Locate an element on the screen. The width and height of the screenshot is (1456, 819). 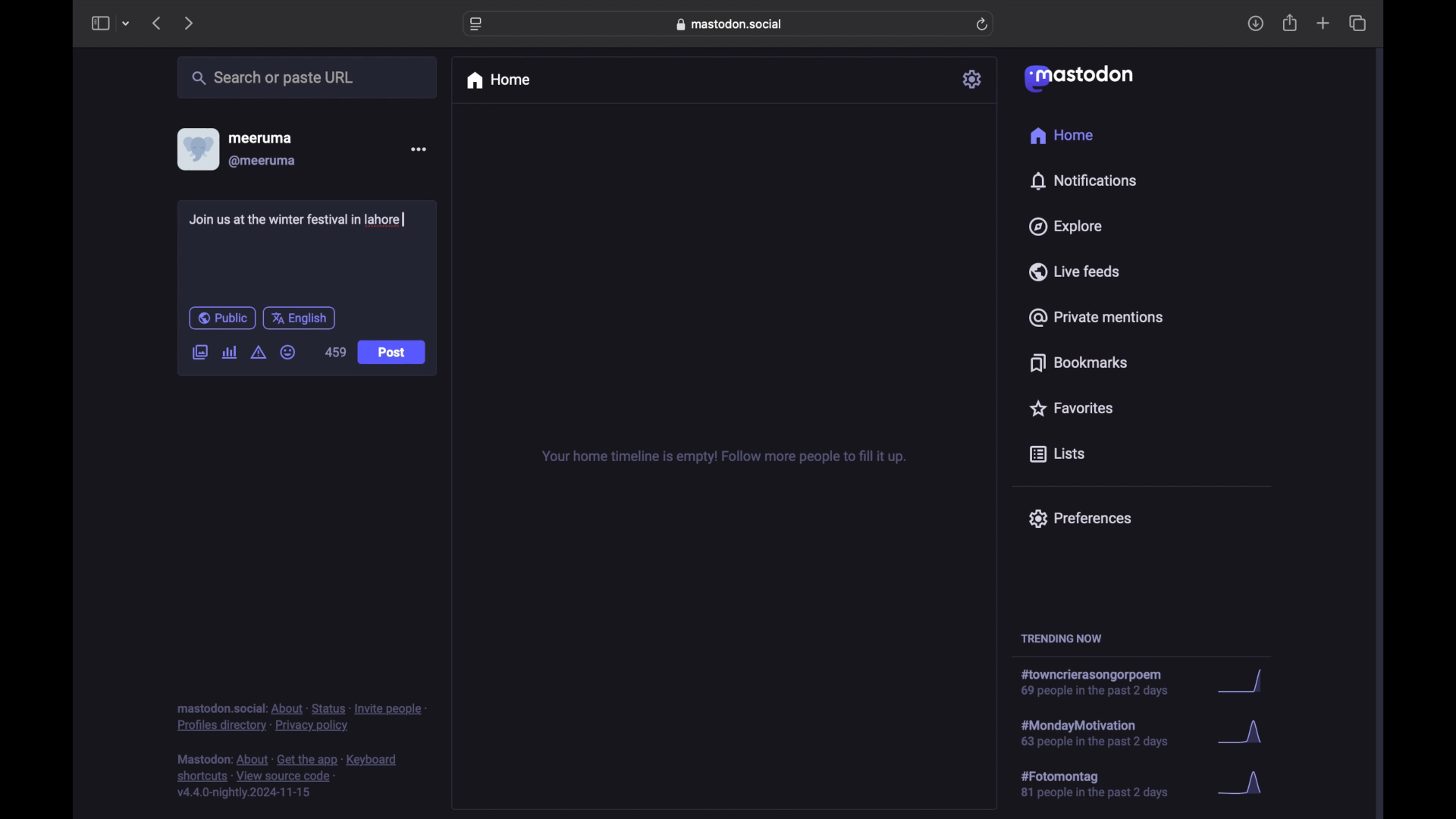
live feeds is located at coordinates (1075, 271).